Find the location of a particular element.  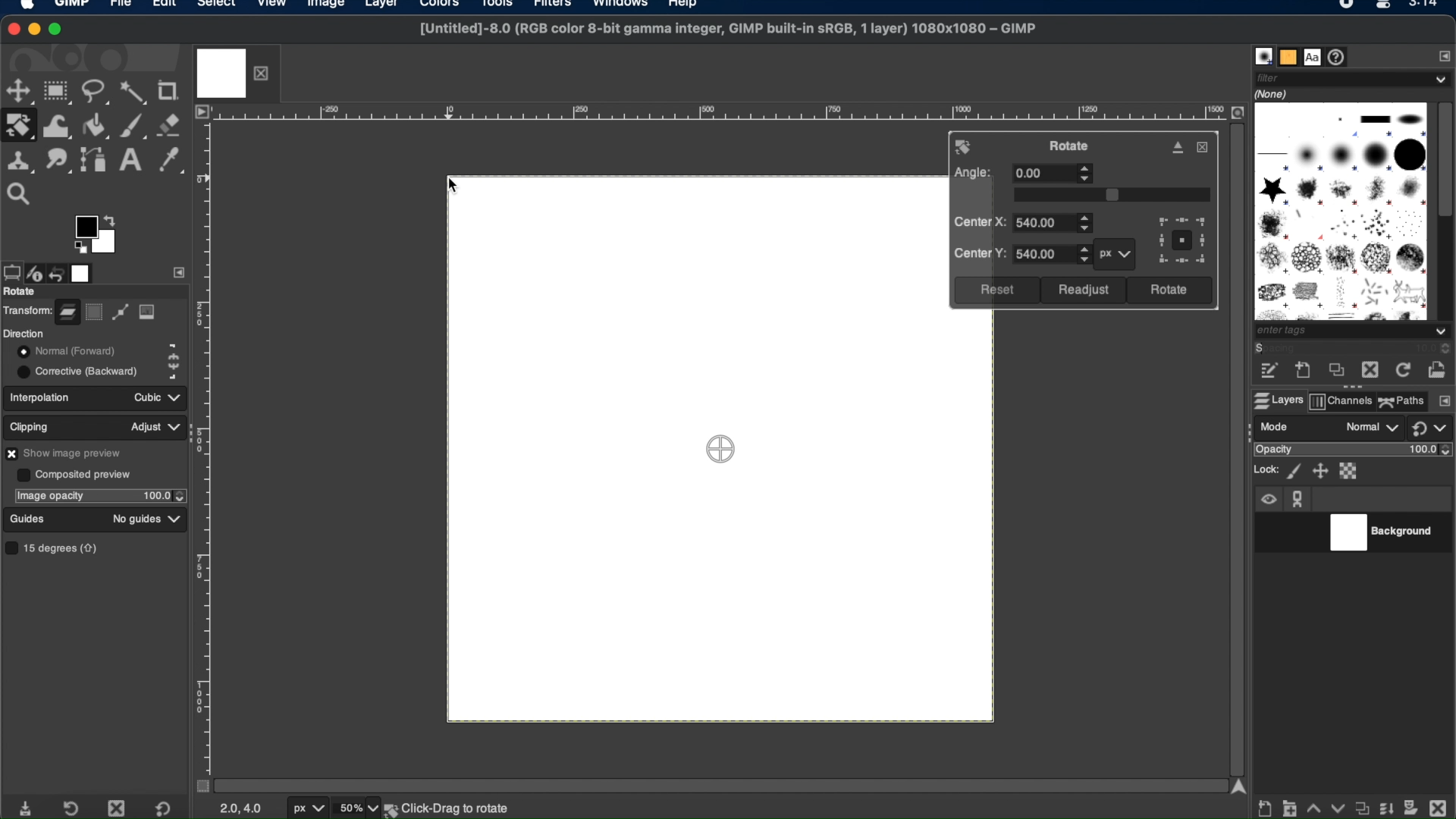

colors is located at coordinates (443, 8).